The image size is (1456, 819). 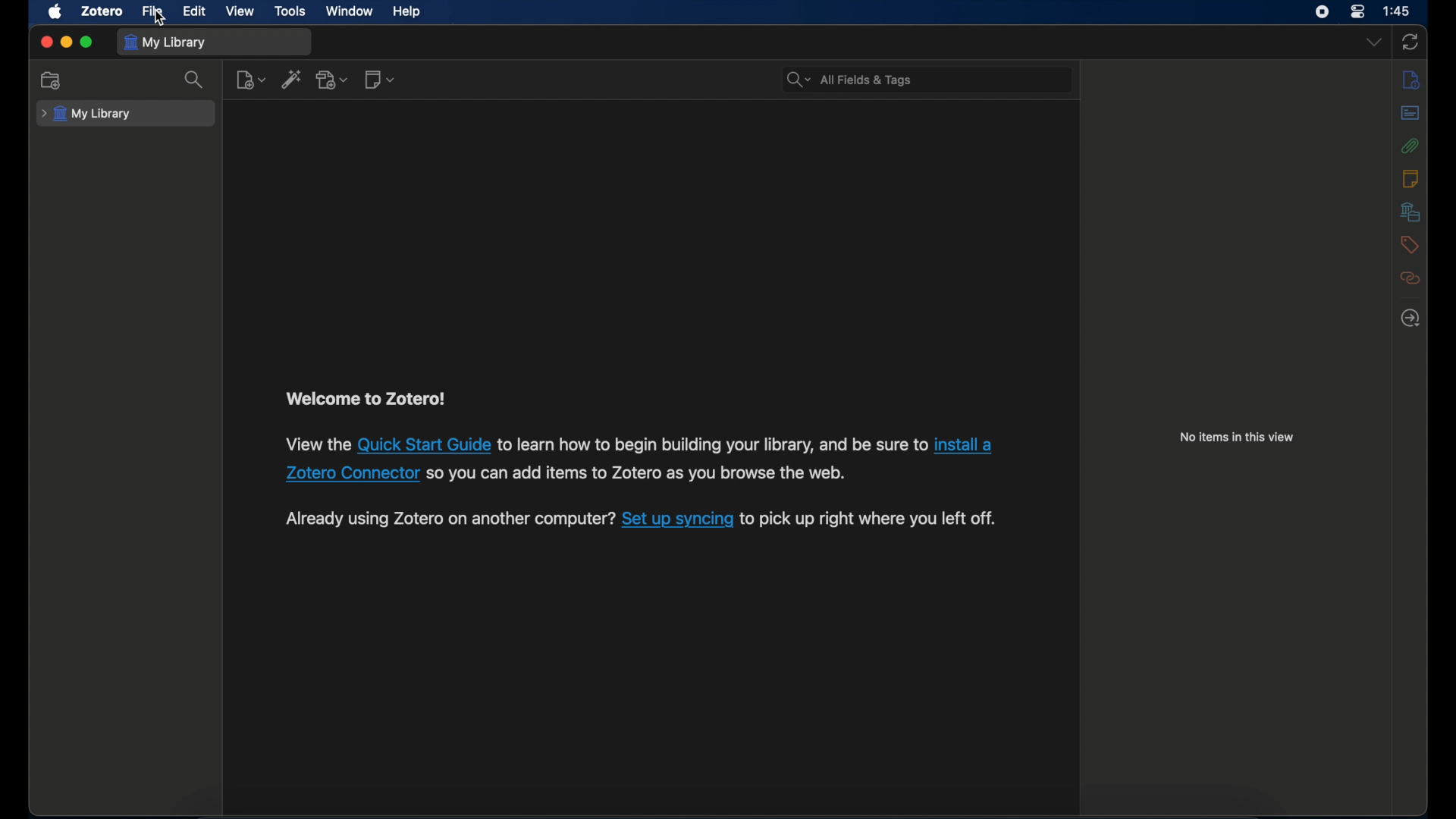 I want to click on Already using Zotero on another computer?, so click(x=449, y=519).